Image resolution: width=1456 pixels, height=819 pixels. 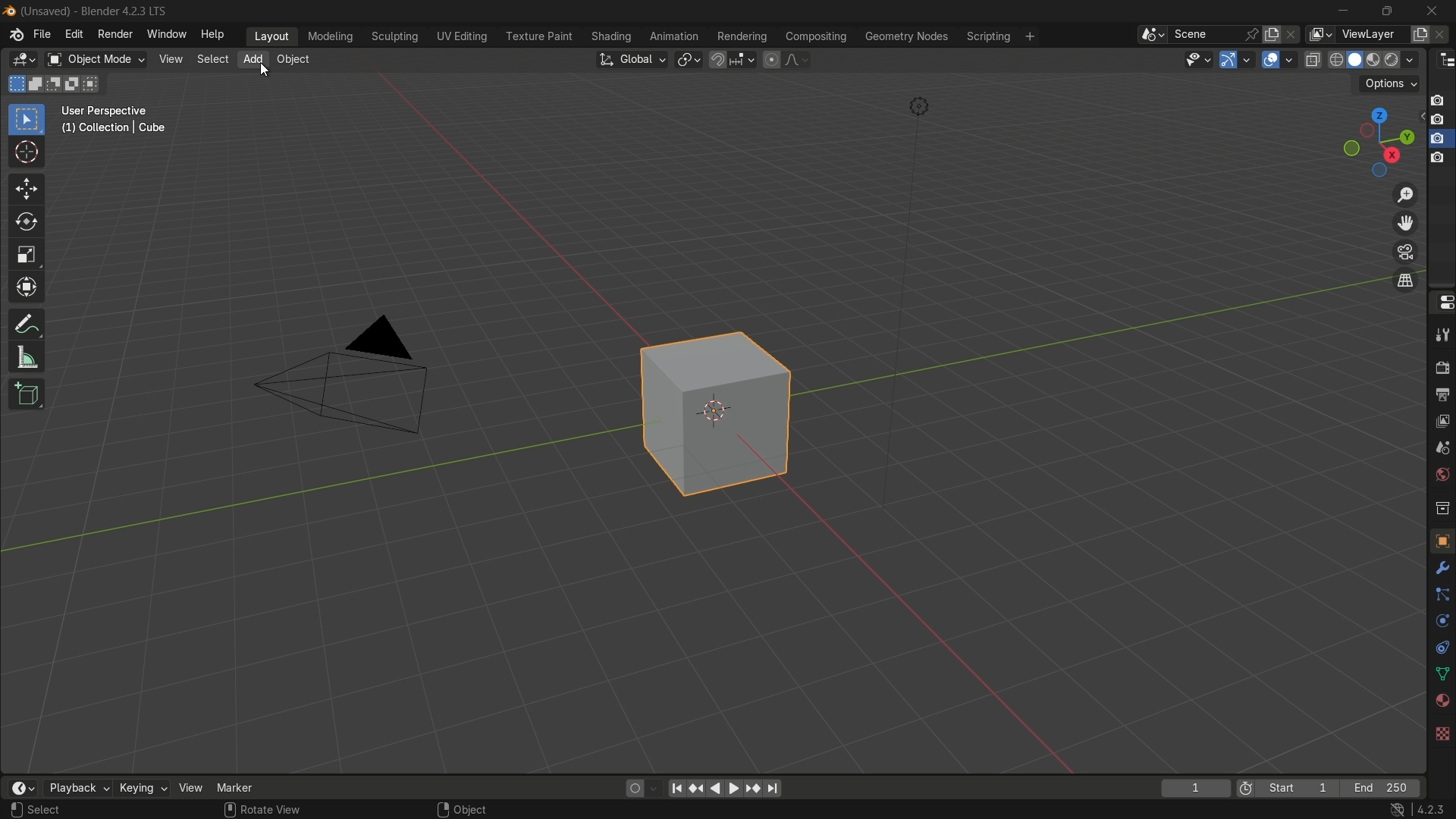 I want to click on mouse scroll, so click(x=229, y=809).